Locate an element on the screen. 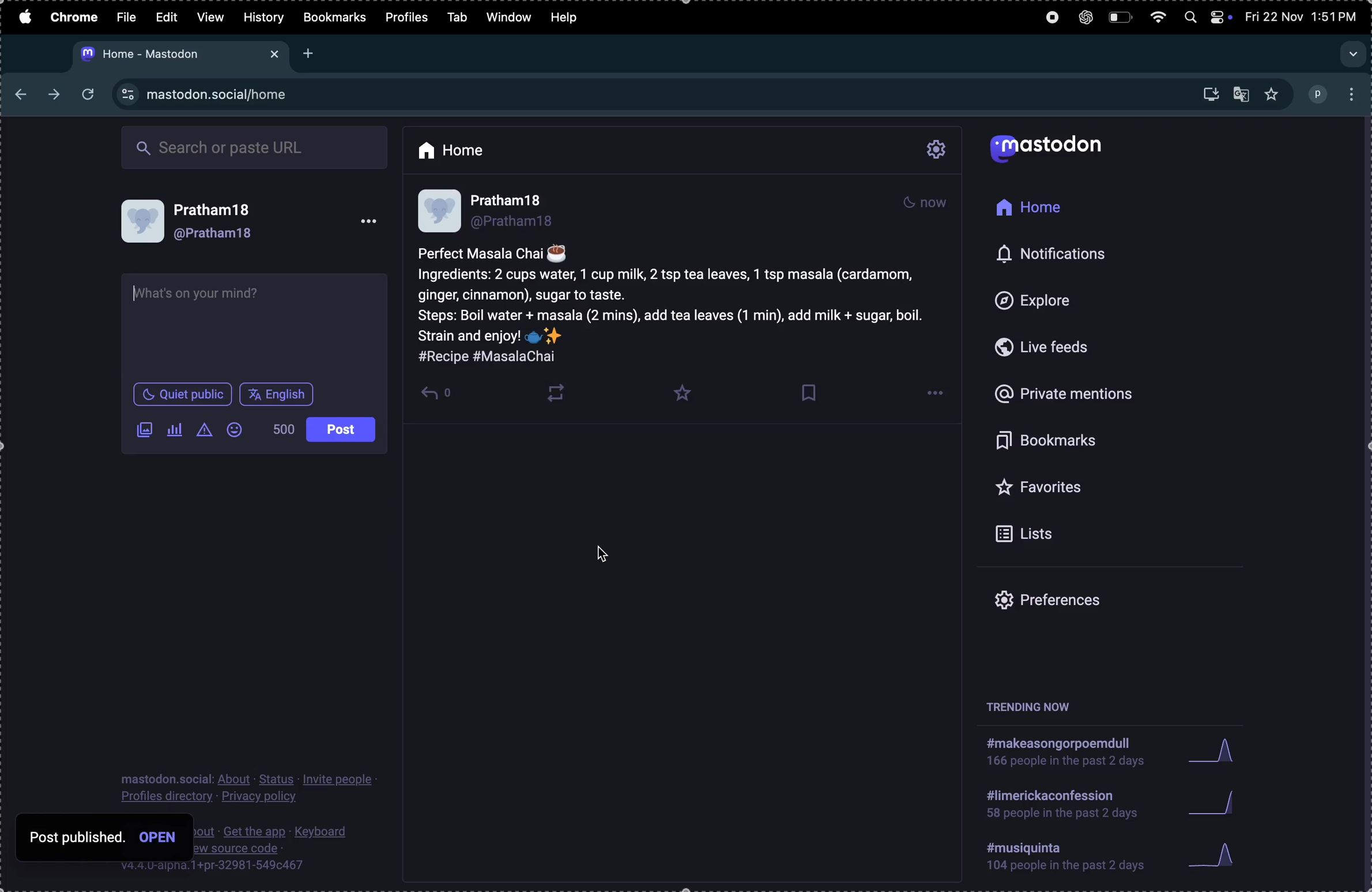  source code is located at coordinates (280, 848).